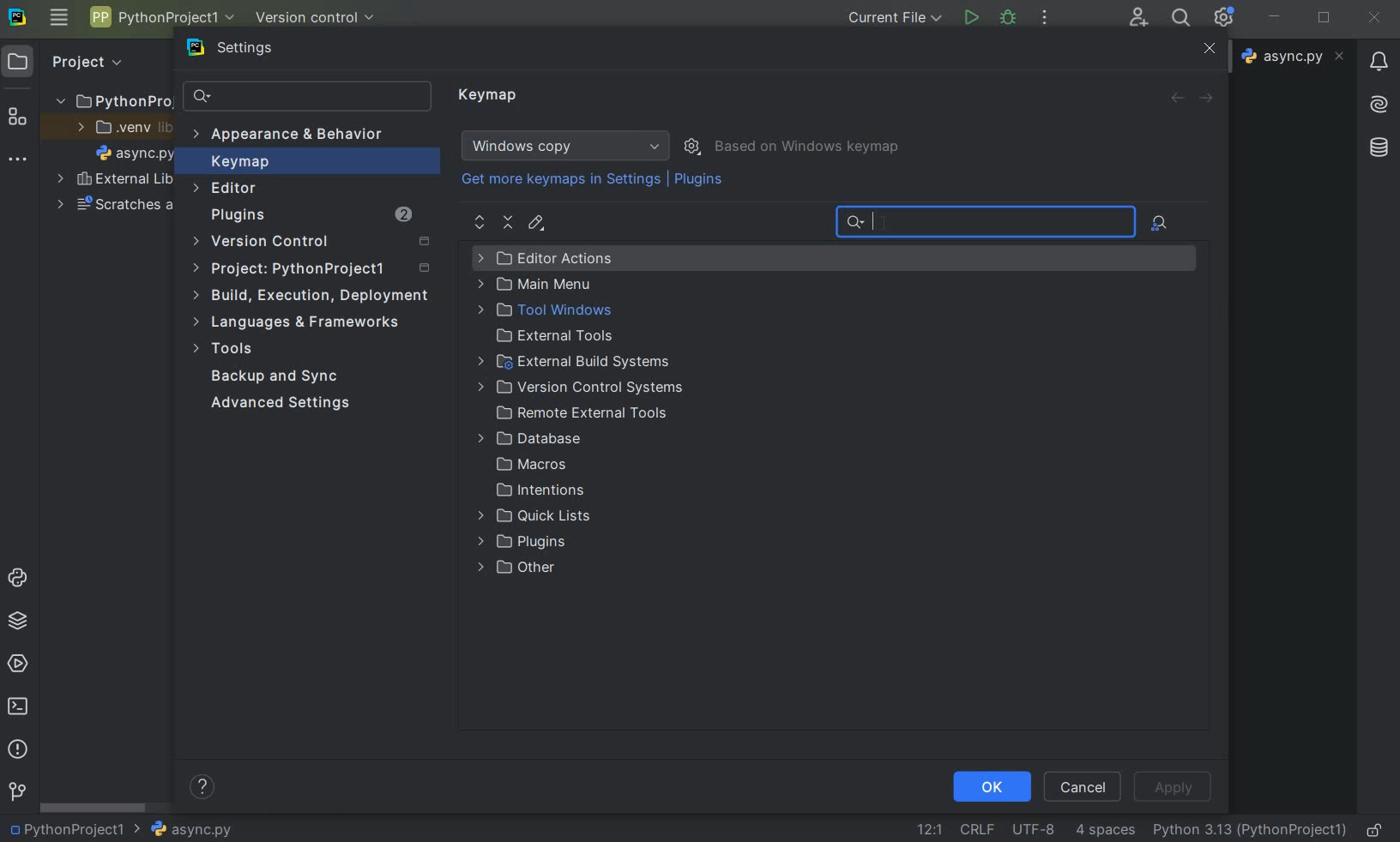  I want to click on keymap, so click(238, 164).